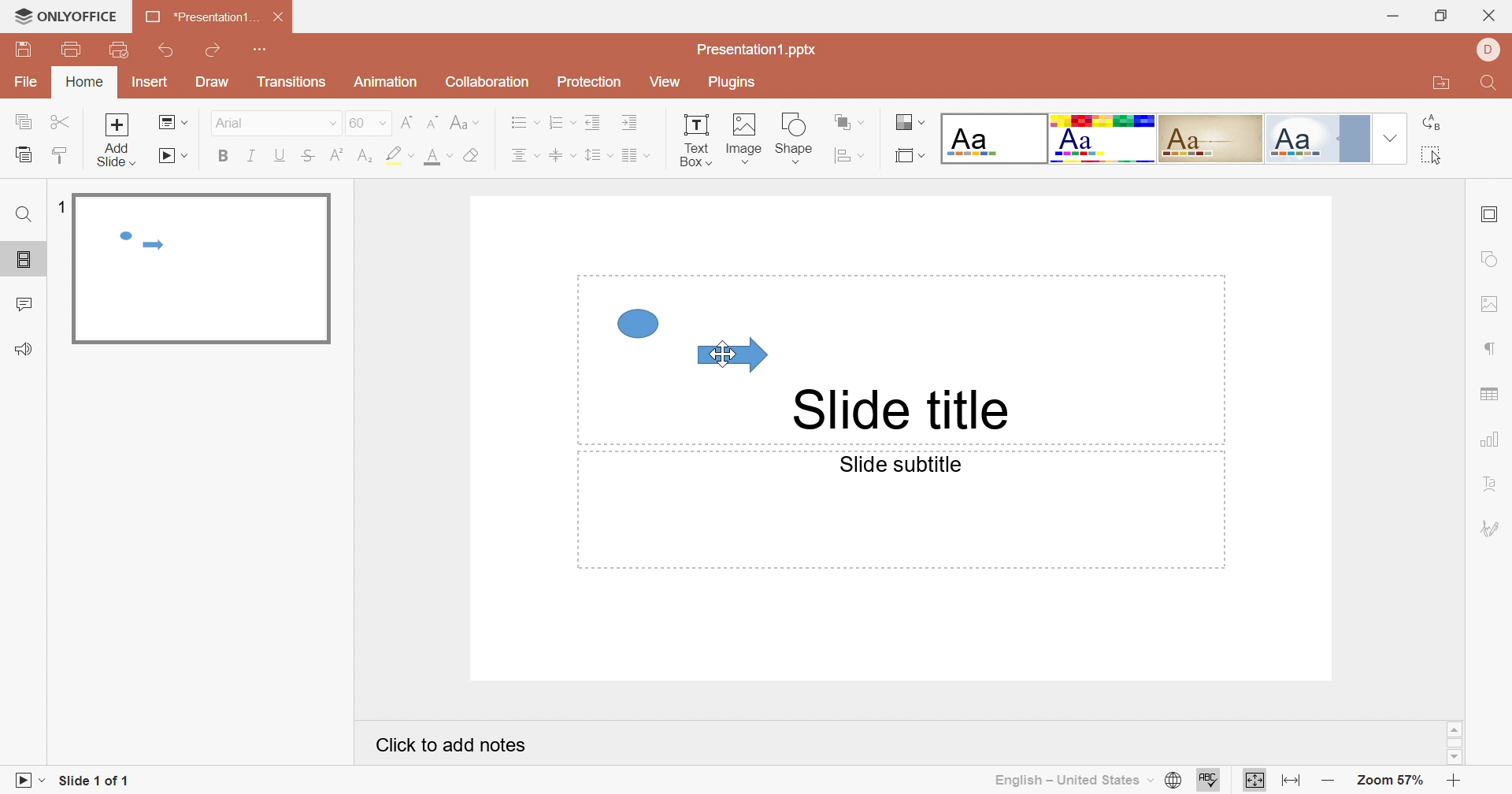  I want to click on Restore Down, so click(1444, 15).